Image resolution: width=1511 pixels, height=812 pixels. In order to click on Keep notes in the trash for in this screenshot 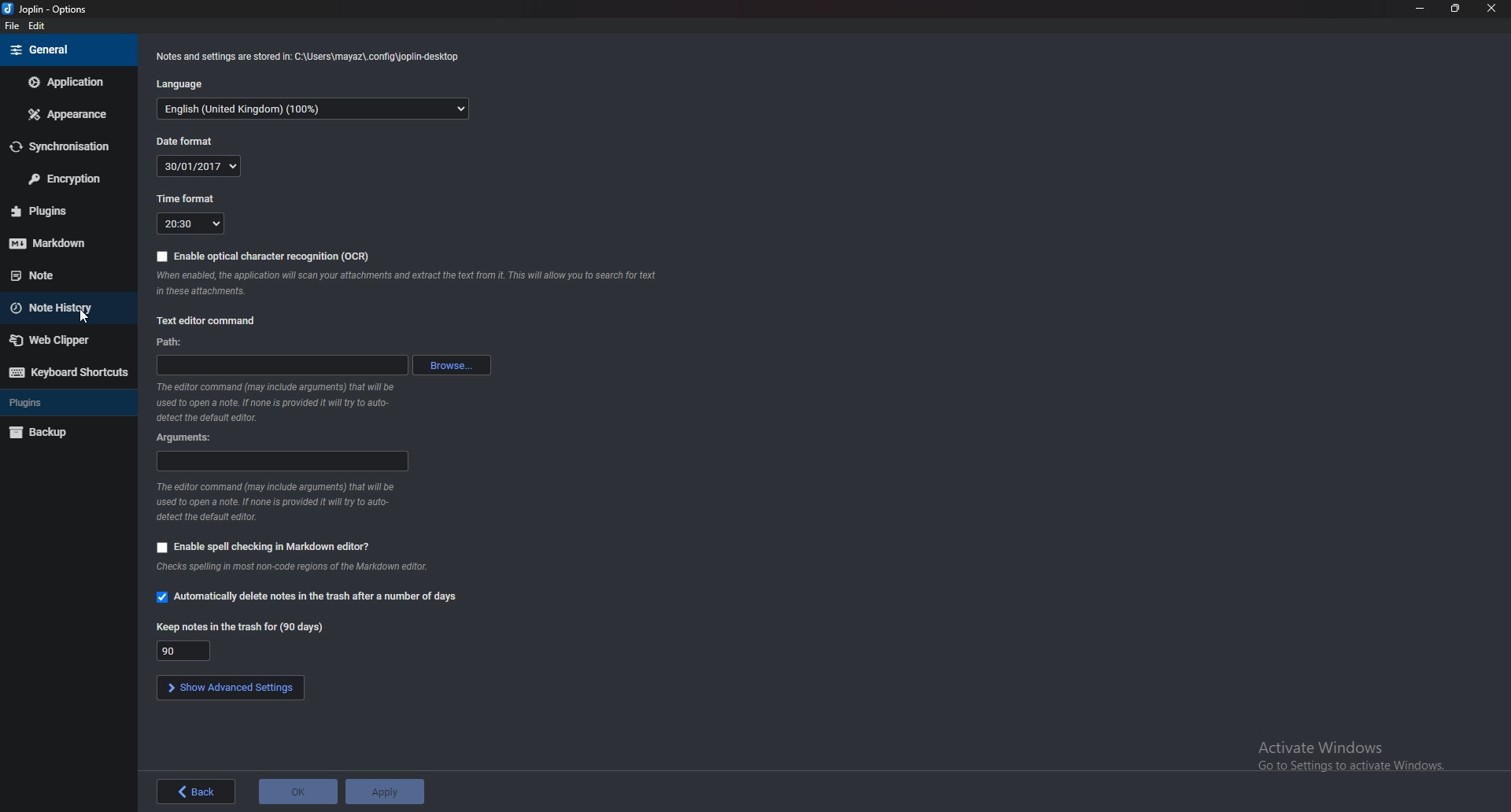, I will do `click(244, 626)`.